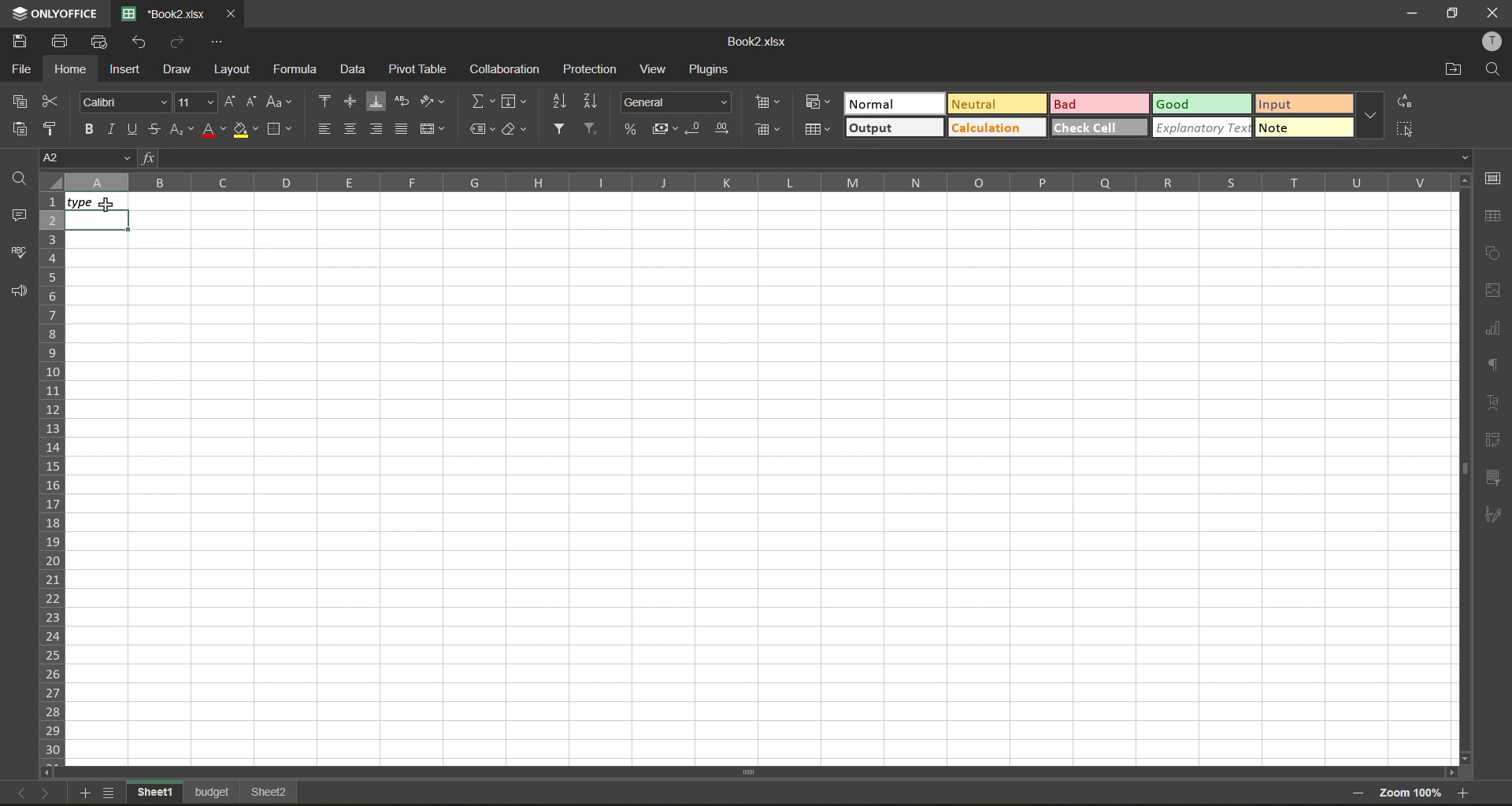 The height and width of the screenshot is (806, 1512). What do you see at coordinates (996, 102) in the screenshot?
I see `neutral` at bounding box center [996, 102].